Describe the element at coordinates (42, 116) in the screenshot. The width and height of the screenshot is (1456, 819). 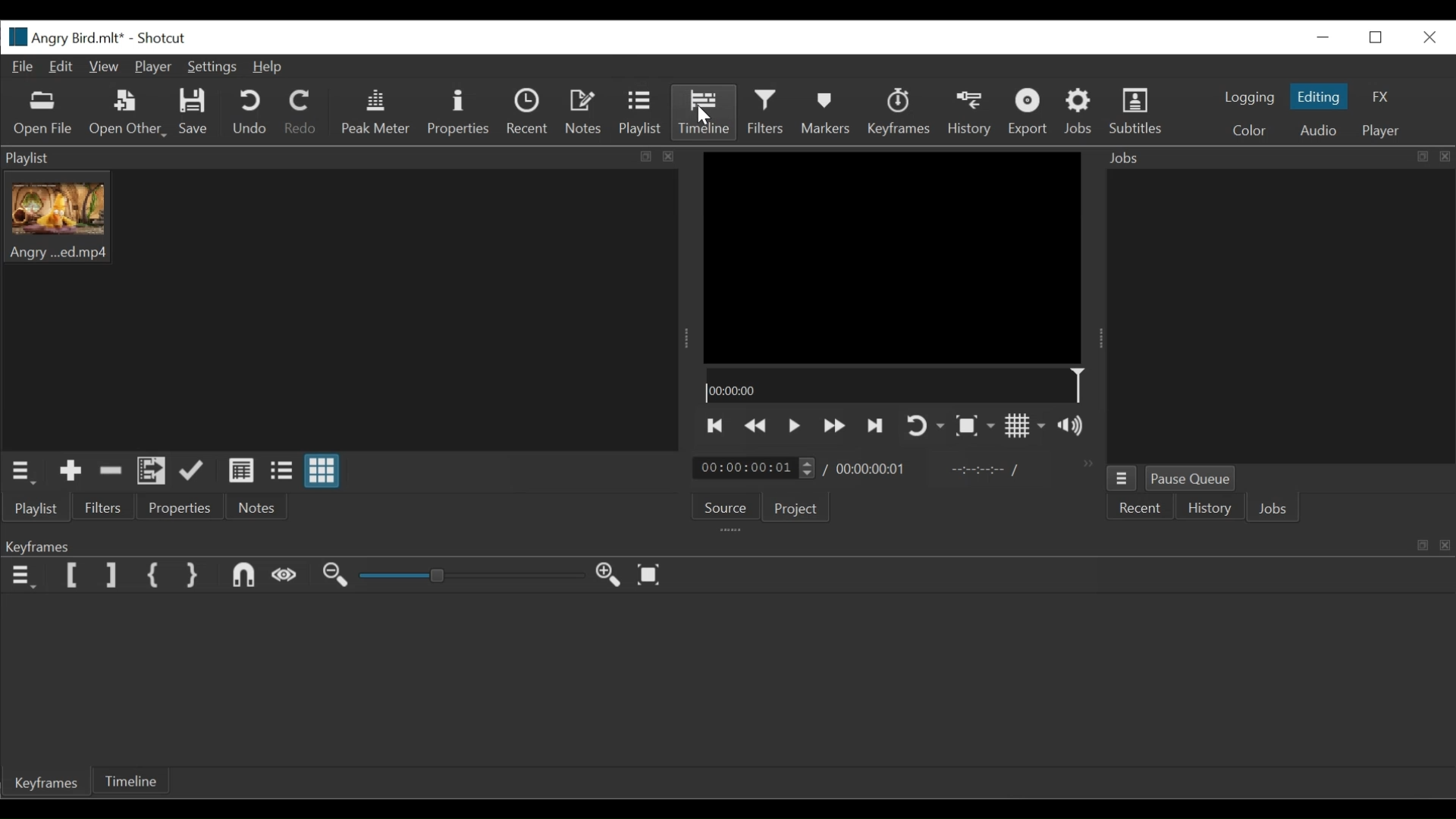
I see `Open File` at that location.